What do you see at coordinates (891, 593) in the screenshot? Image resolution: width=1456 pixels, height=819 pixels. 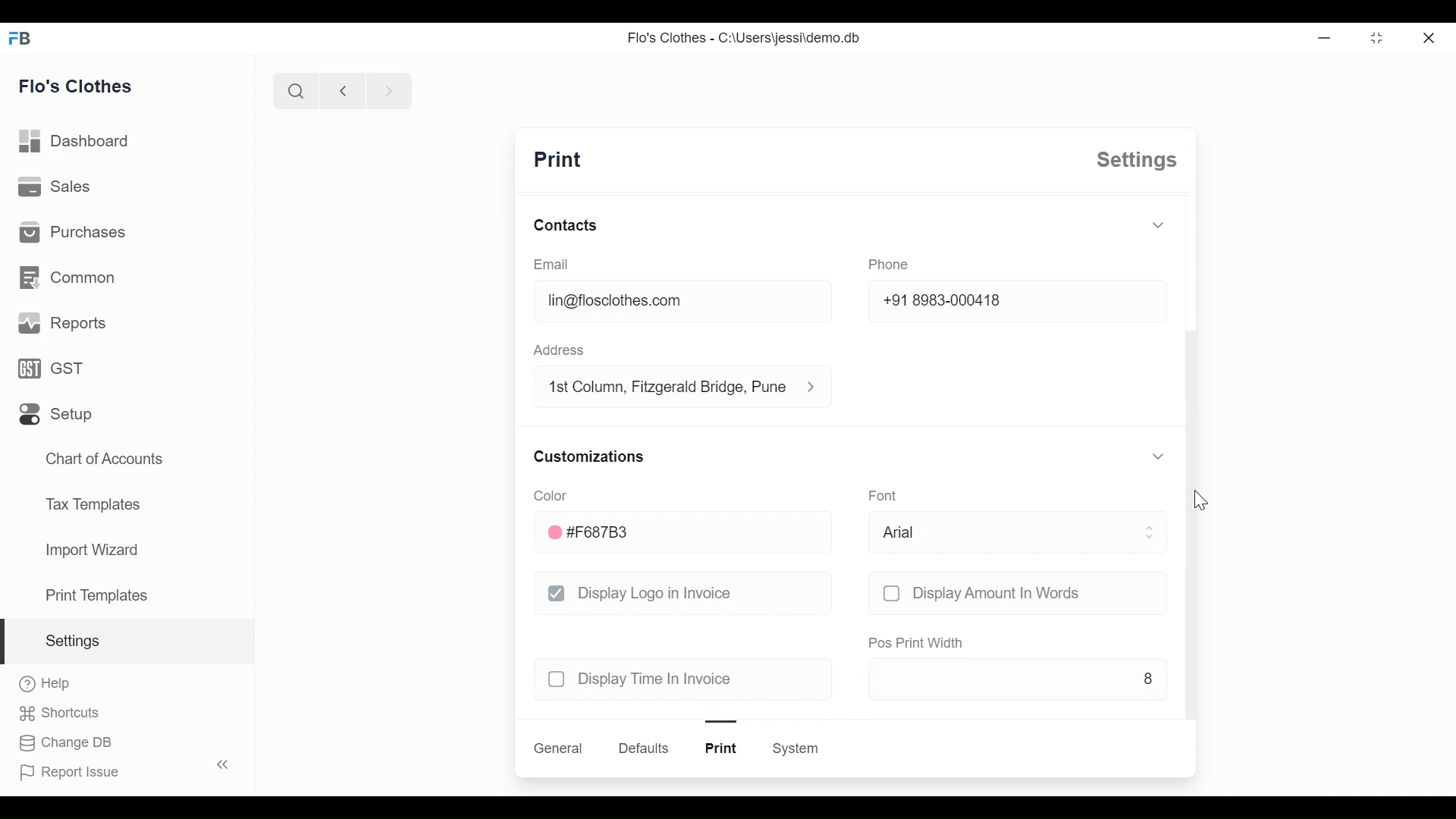 I see `checkbox` at bounding box center [891, 593].